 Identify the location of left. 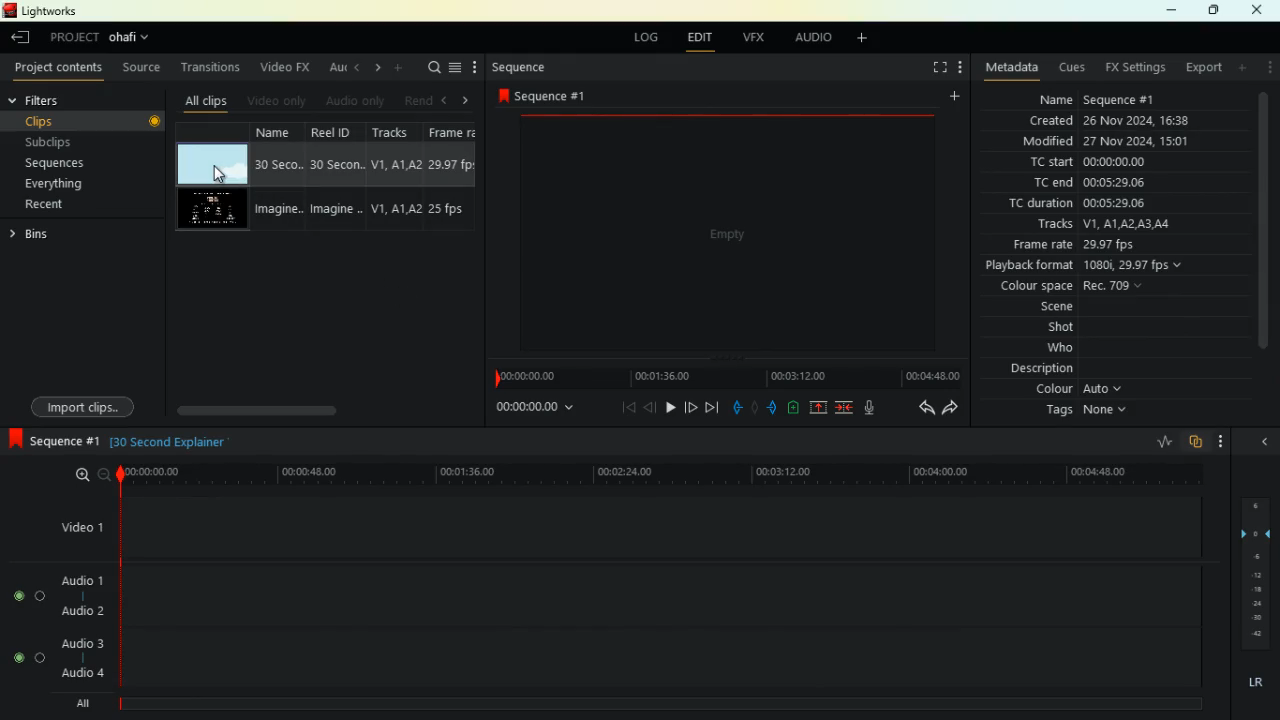
(447, 100).